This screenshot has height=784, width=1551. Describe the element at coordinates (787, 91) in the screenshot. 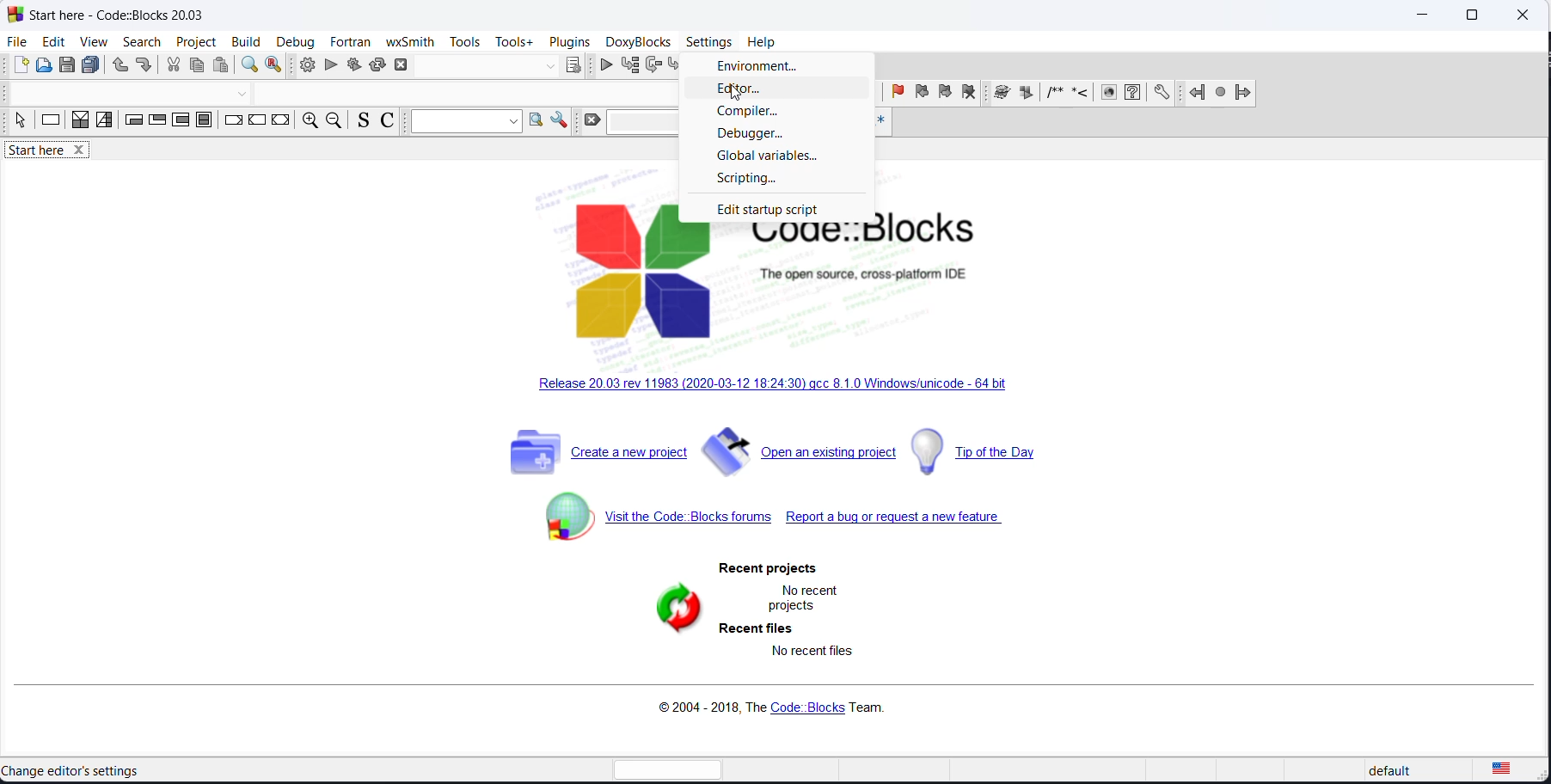

I see `editor` at that location.